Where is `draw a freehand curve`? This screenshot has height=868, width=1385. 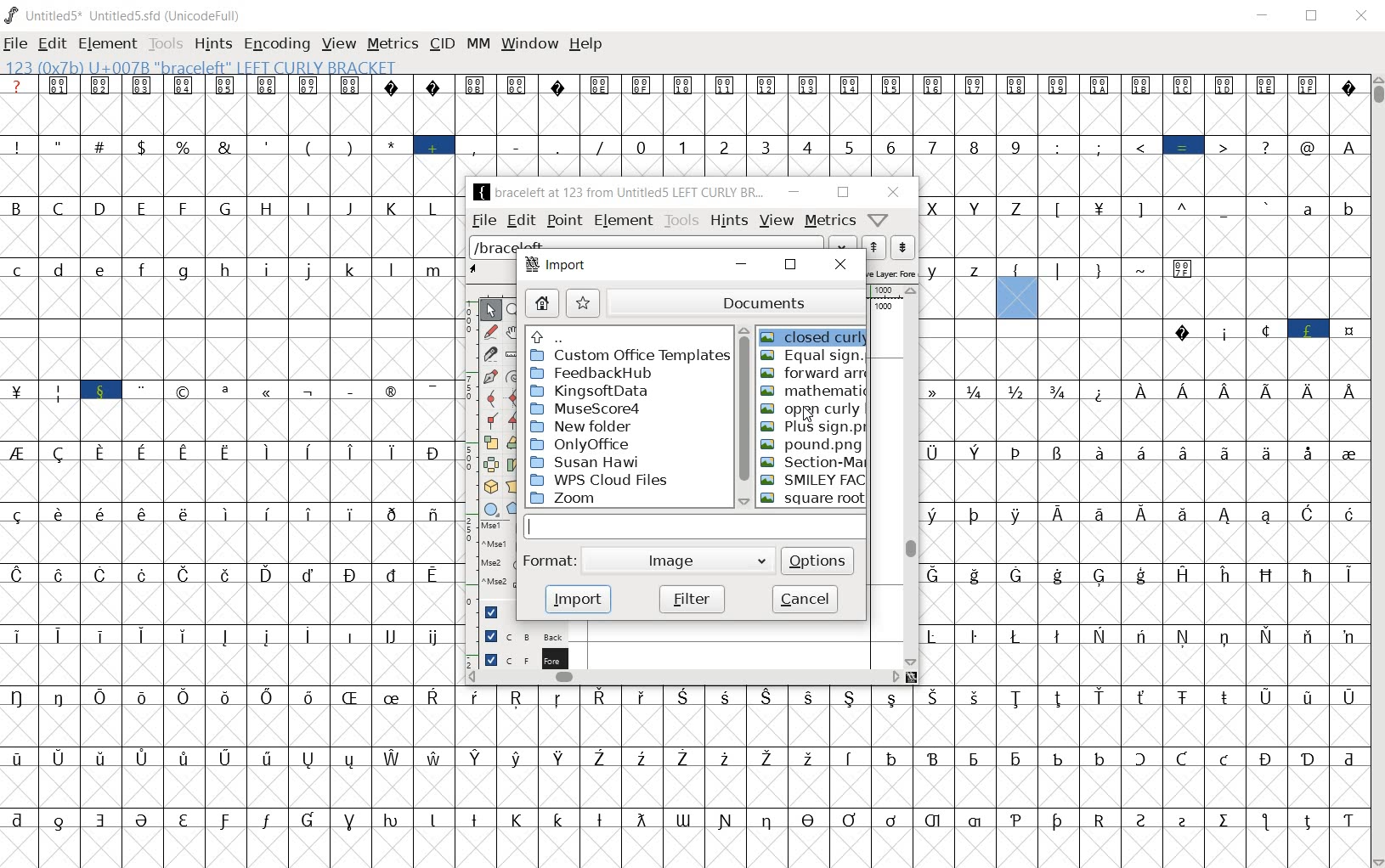
draw a freehand curve is located at coordinates (491, 332).